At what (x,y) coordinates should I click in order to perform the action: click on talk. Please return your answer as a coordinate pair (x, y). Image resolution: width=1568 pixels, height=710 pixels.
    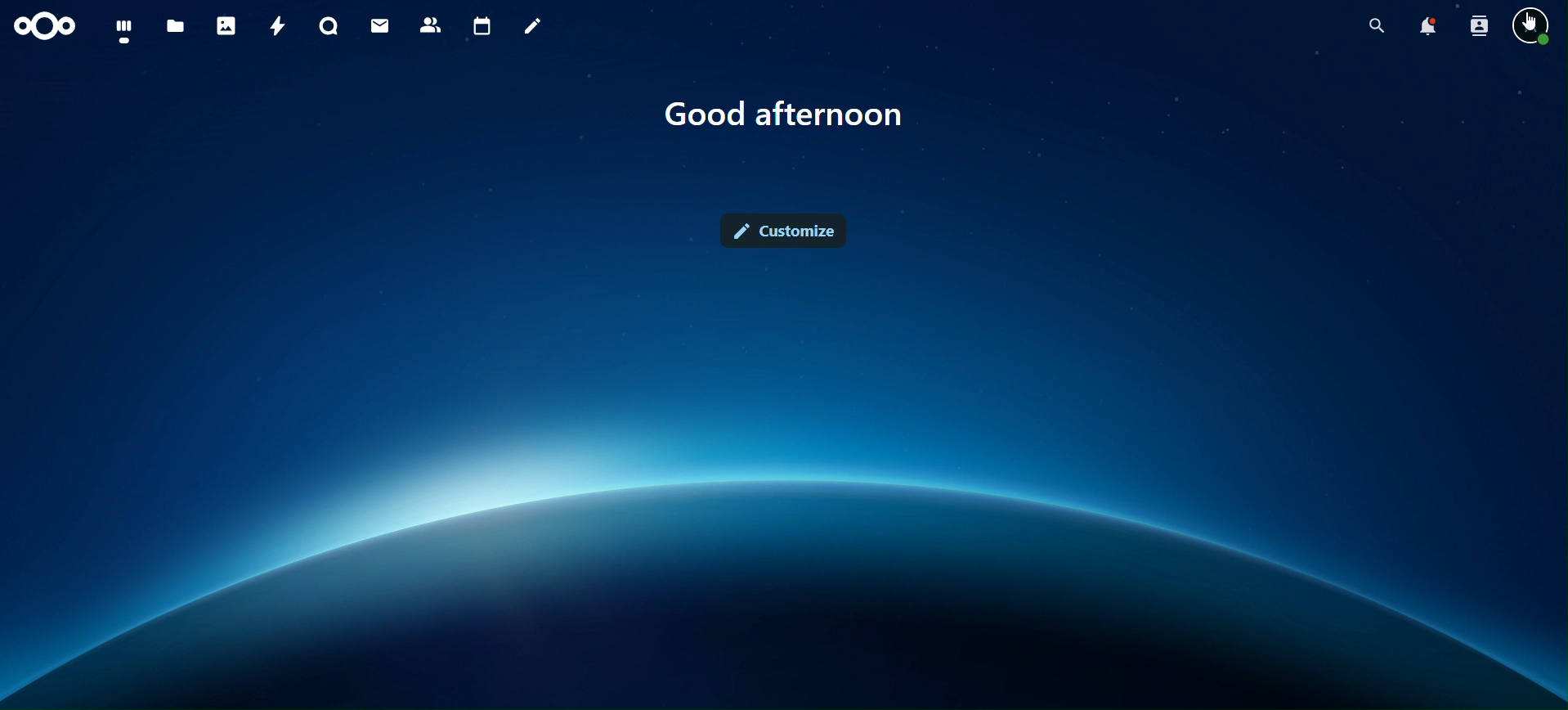
    Looking at the image, I should click on (329, 25).